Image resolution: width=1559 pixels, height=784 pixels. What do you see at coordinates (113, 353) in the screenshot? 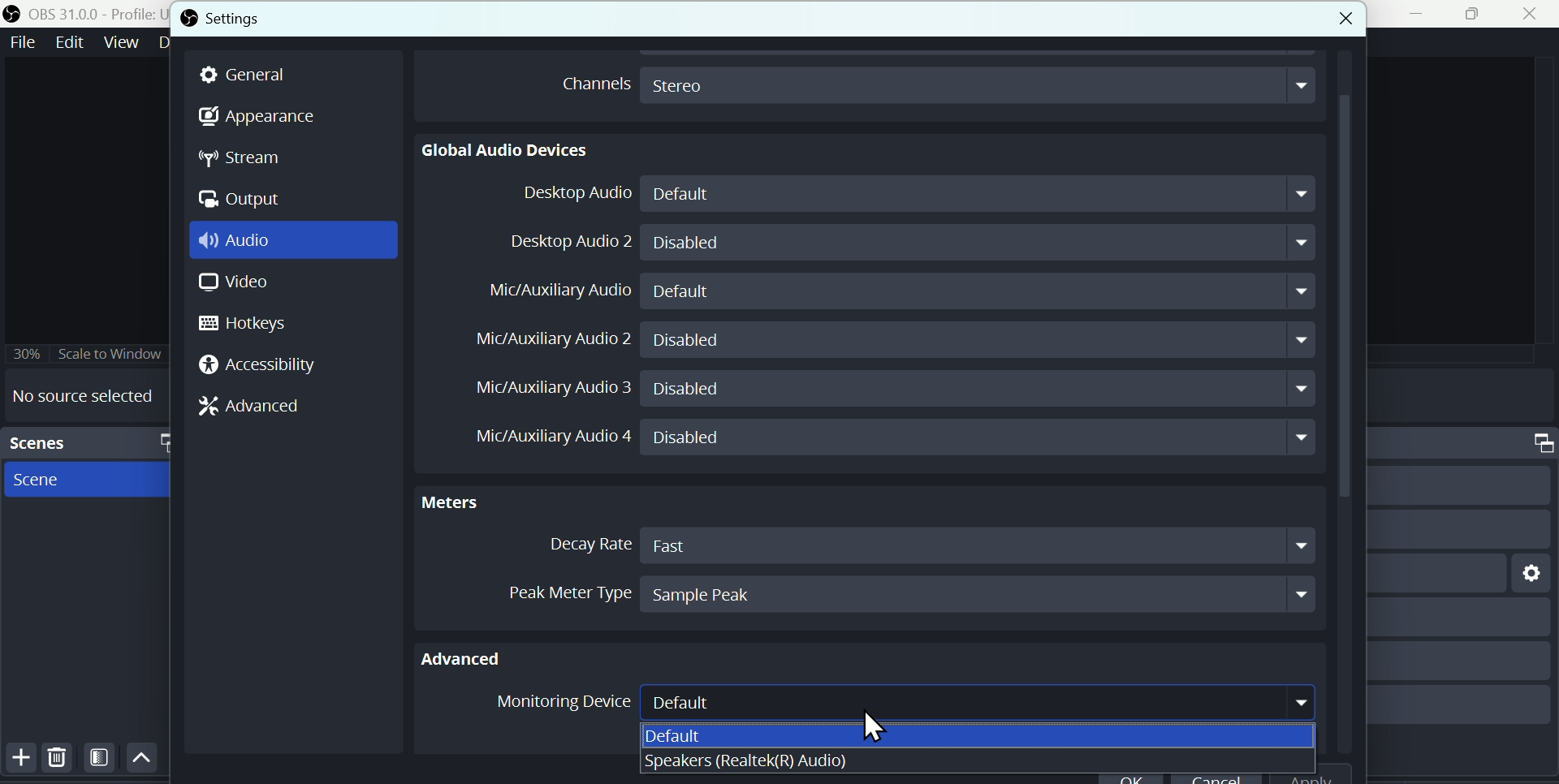
I see `Scale to window` at bounding box center [113, 353].